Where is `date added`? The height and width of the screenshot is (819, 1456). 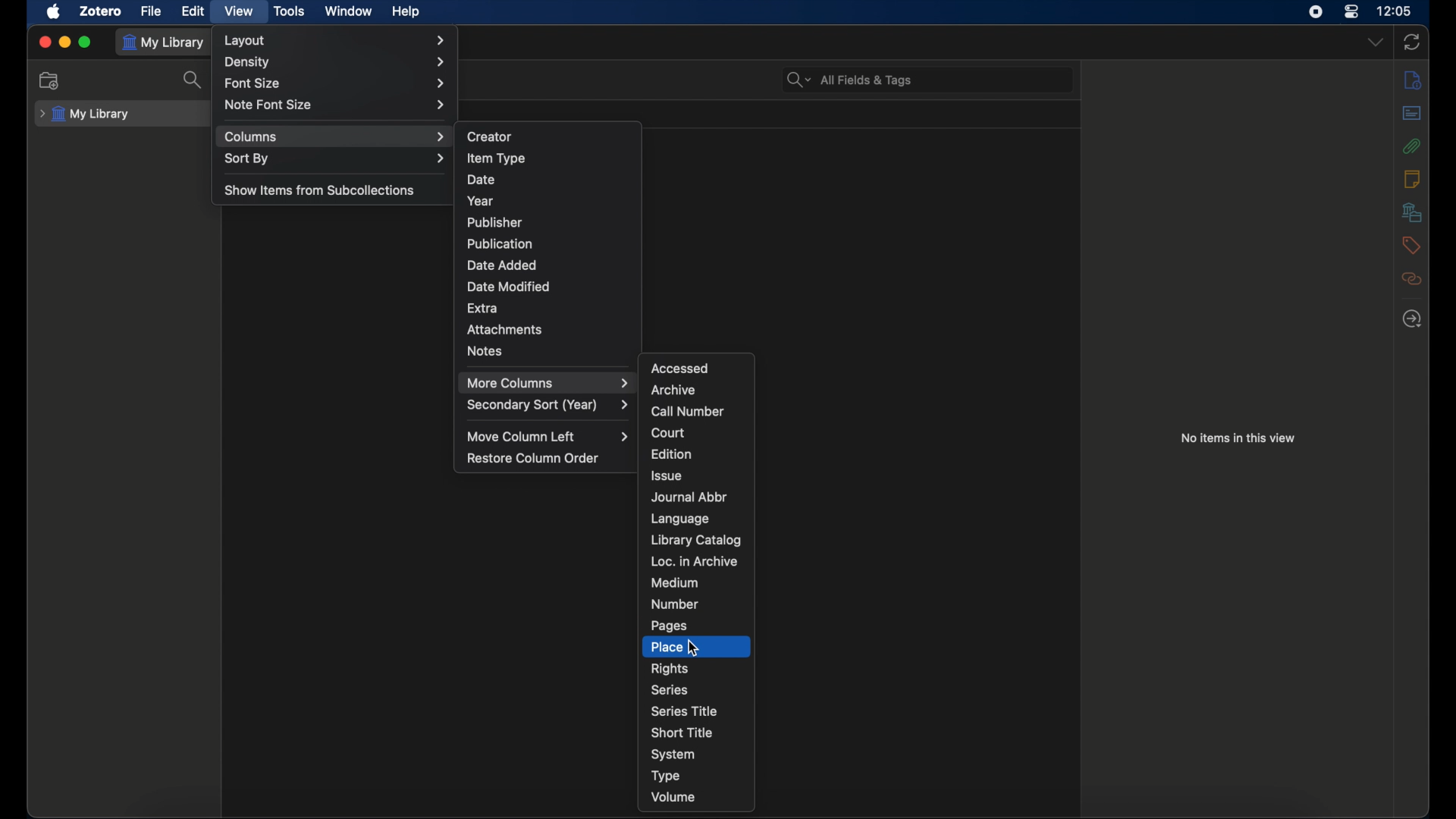
date added is located at coordinates (501, 265).